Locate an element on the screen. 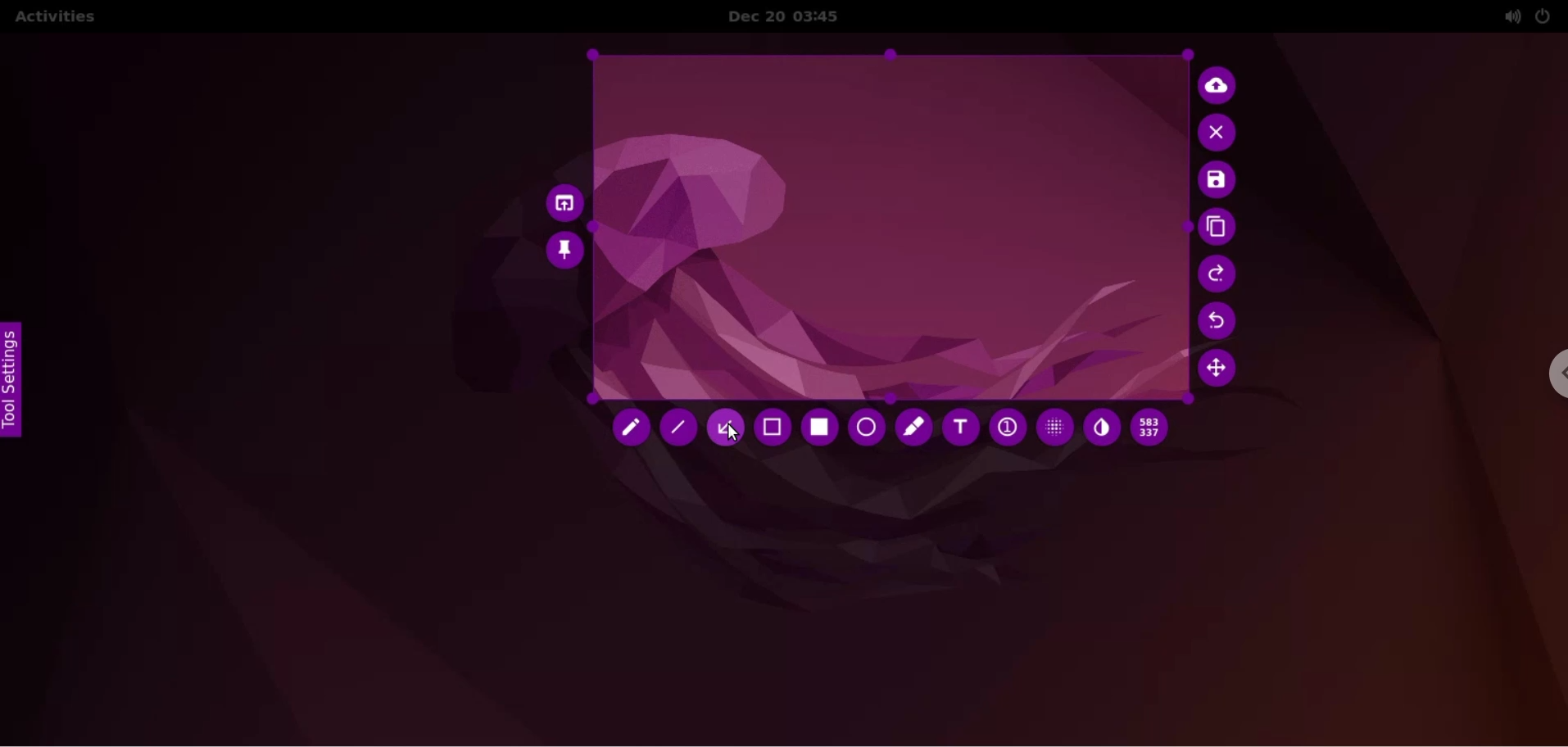  circle tool is located at coordinates (864, 428).